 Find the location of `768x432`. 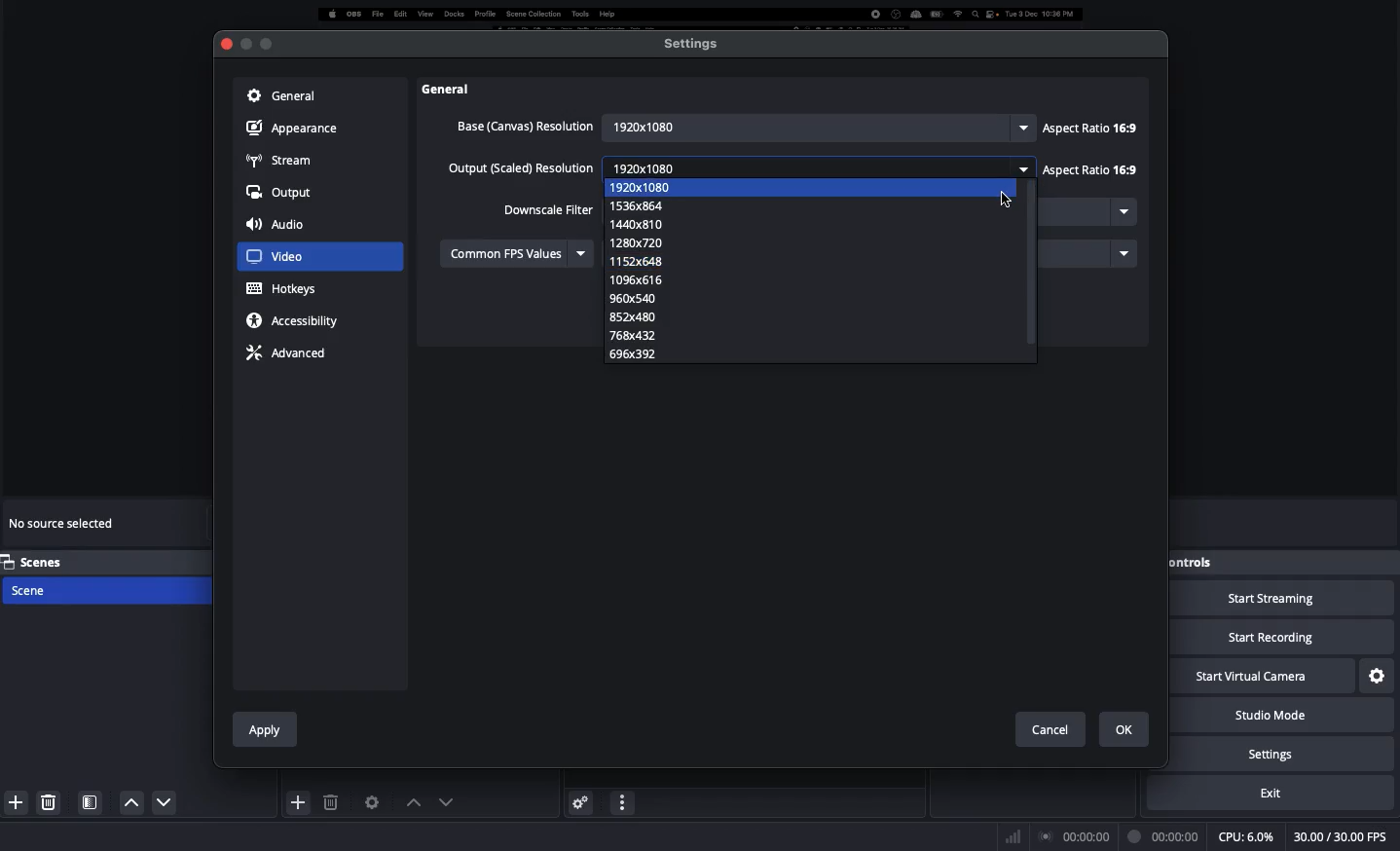

768x432 is located at coordinates (635, 336).